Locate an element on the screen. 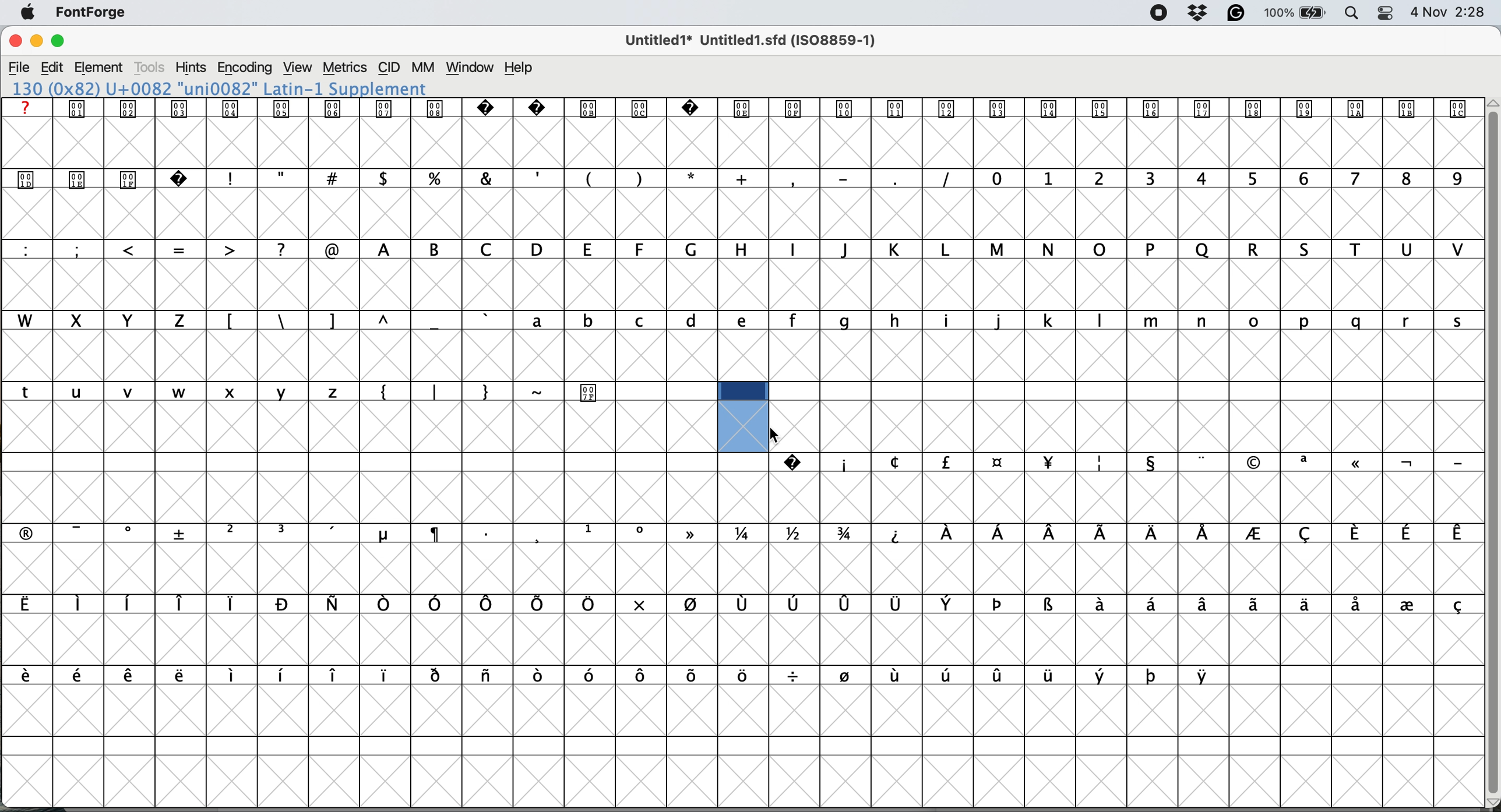  file is located at coordinates (20, 68).